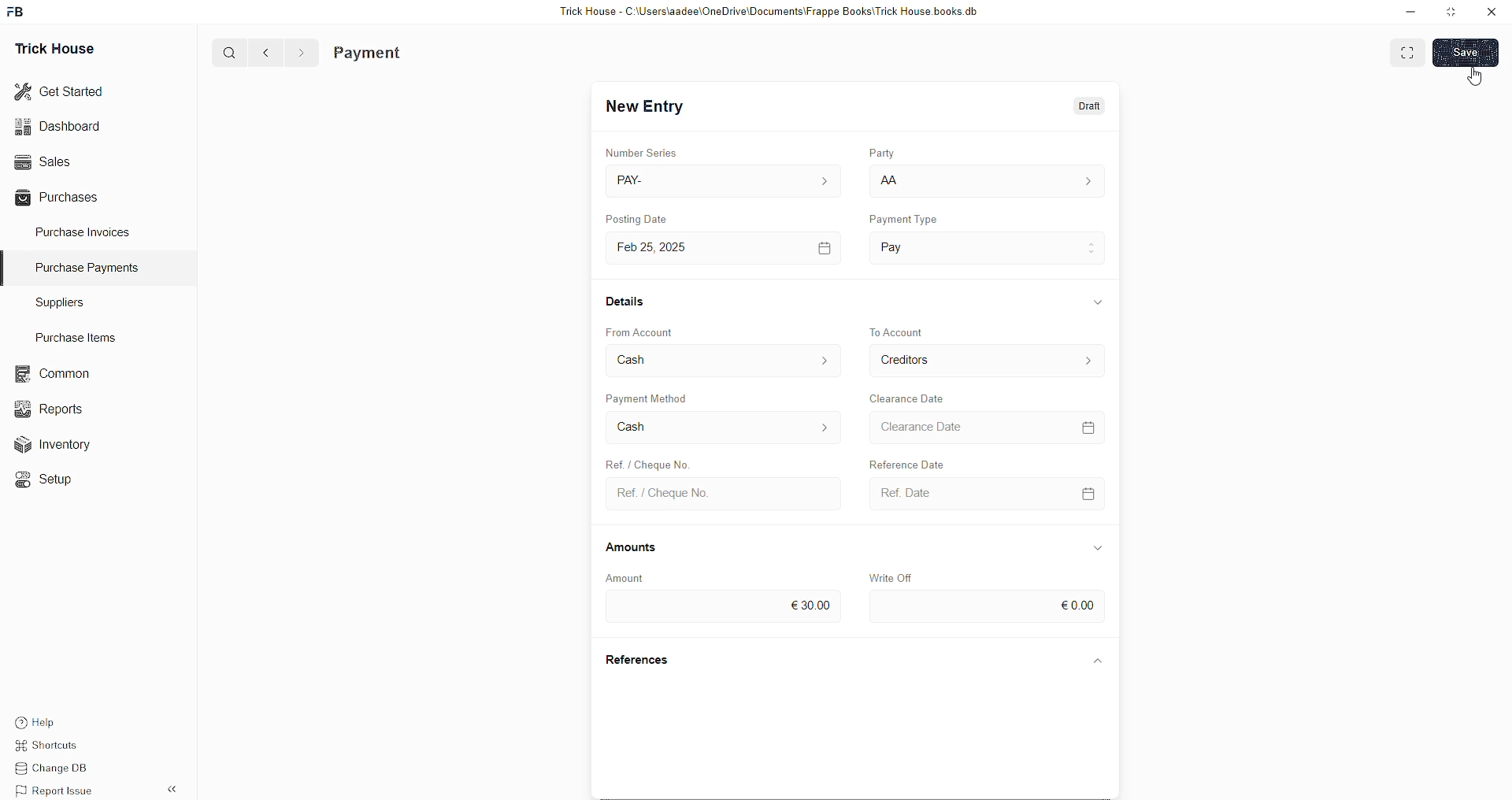  What do you see at coordinates (1408, 12) in the screenshot?
I see `minimise down` at bounding box center [1408, 12].